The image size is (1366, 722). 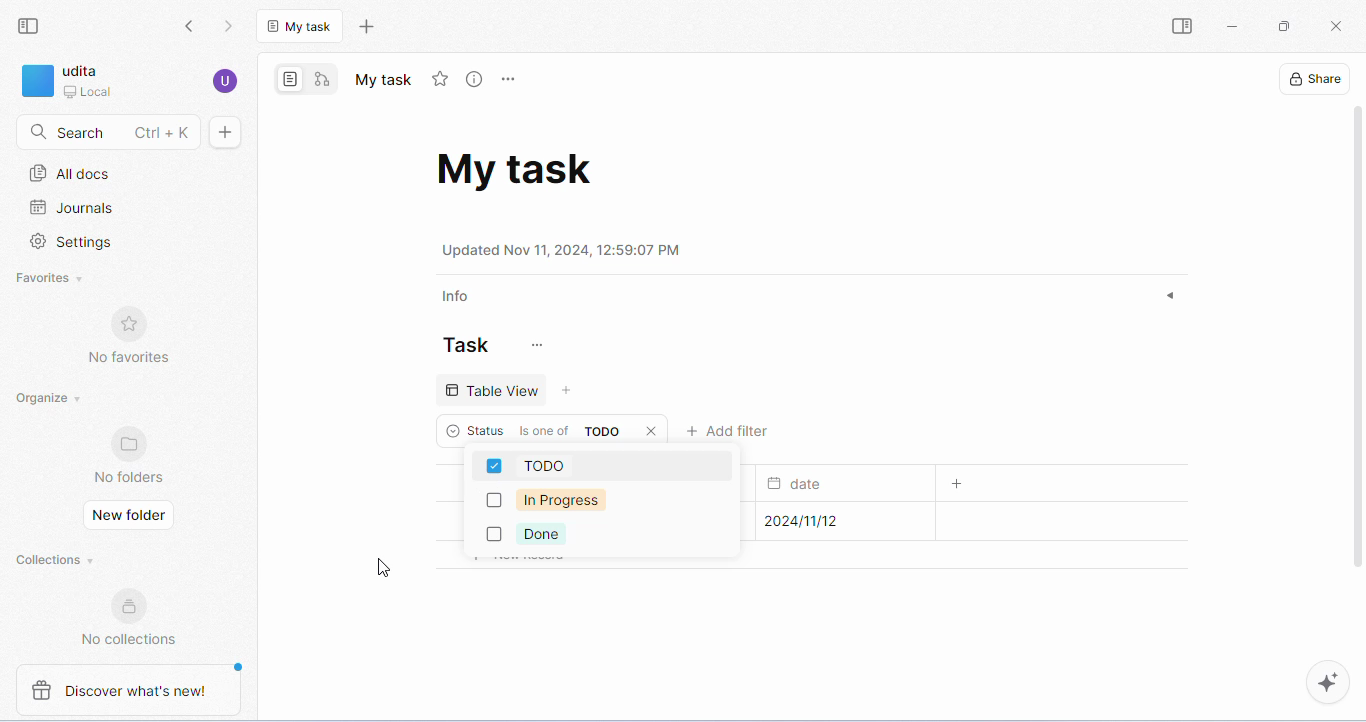 I want to click on tab name, so click(x=382, y=79).